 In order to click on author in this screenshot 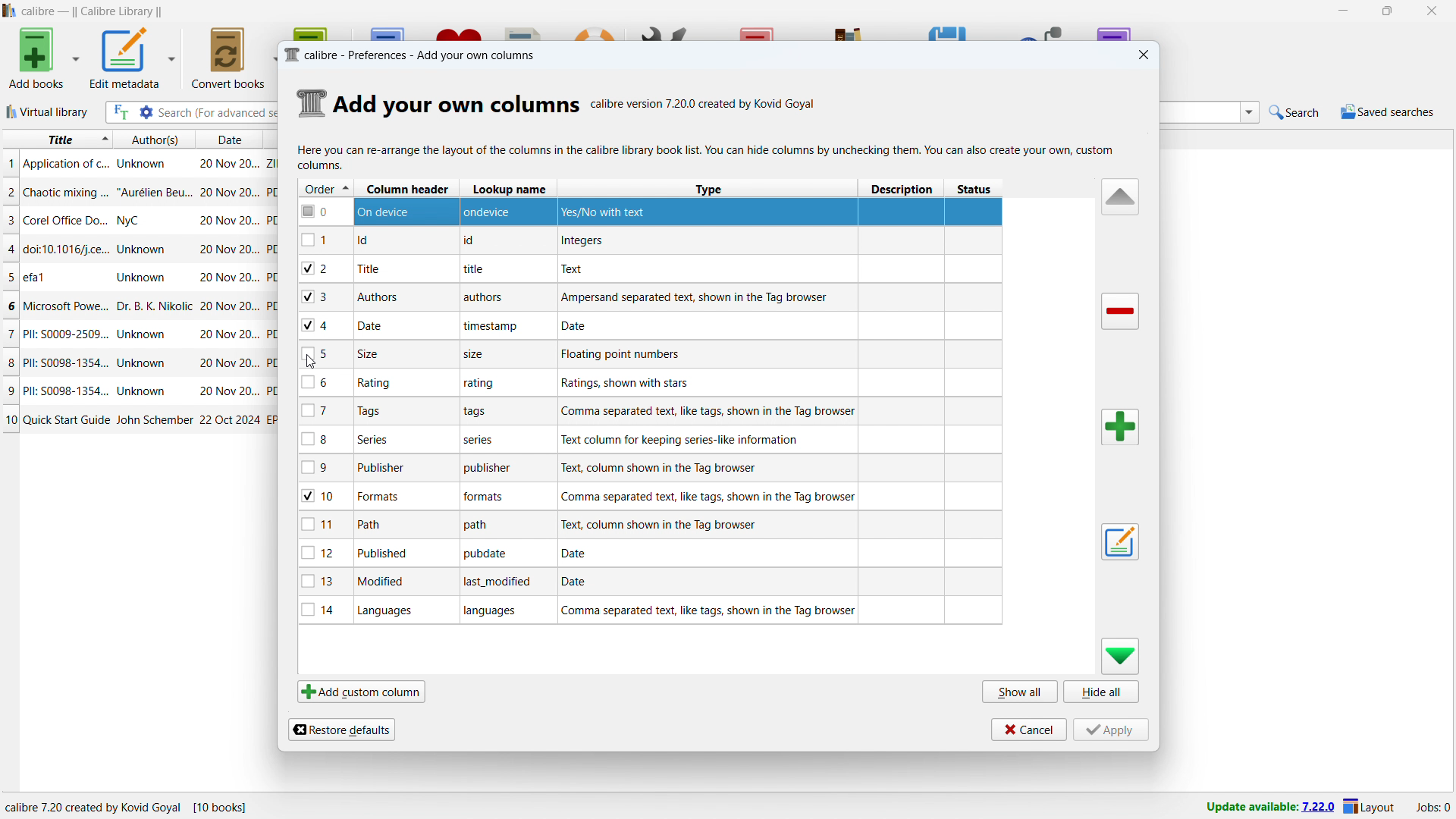, I will do `click(143, 391)`.